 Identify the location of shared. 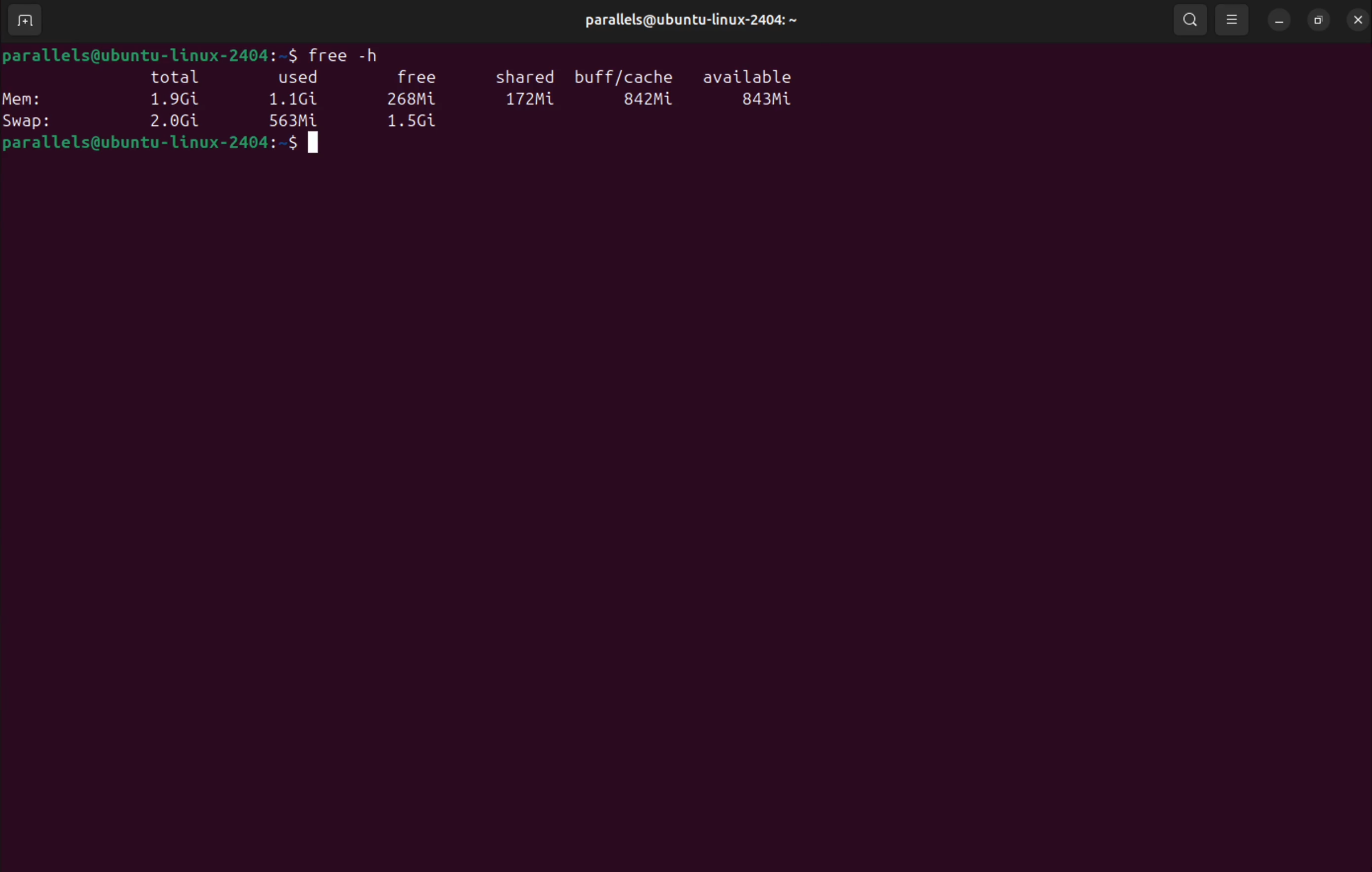
(526, 76).